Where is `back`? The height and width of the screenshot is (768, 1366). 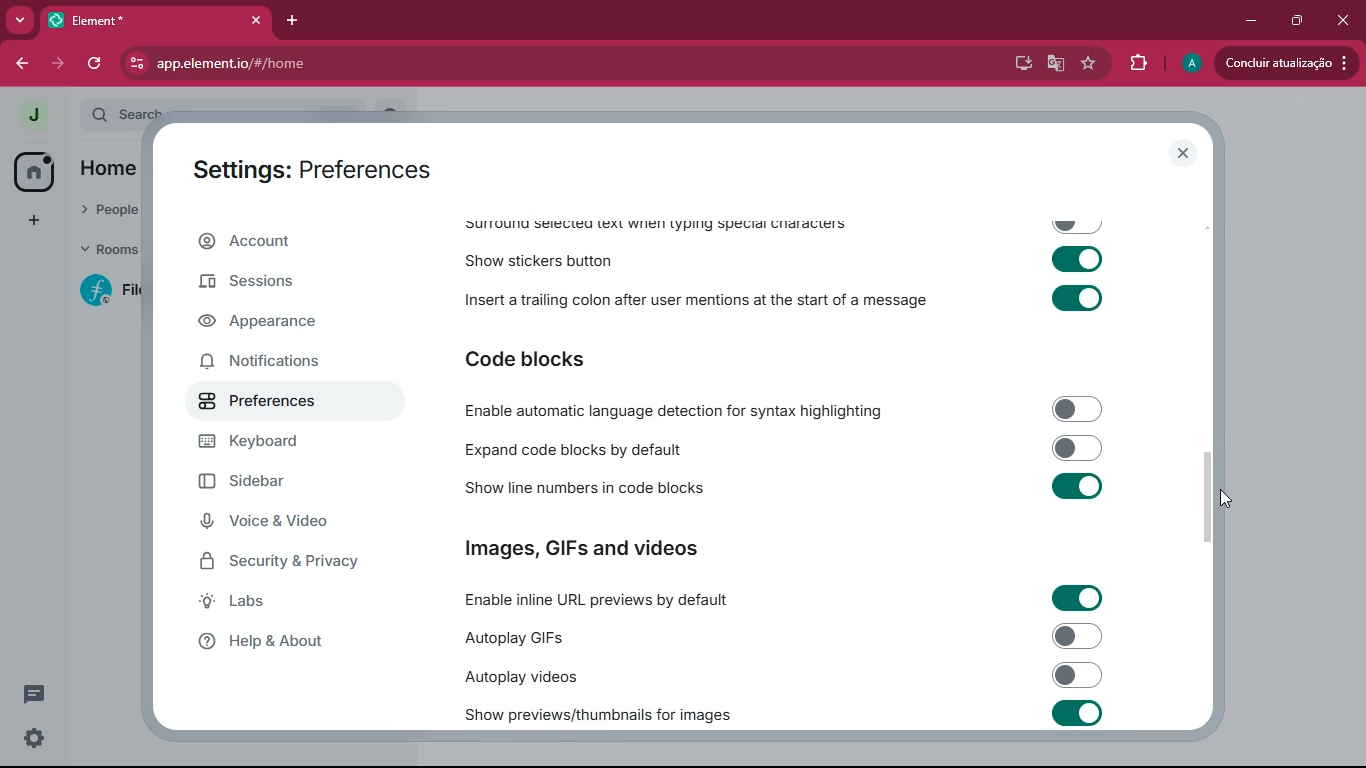
back is located at coordinates (21, 65).